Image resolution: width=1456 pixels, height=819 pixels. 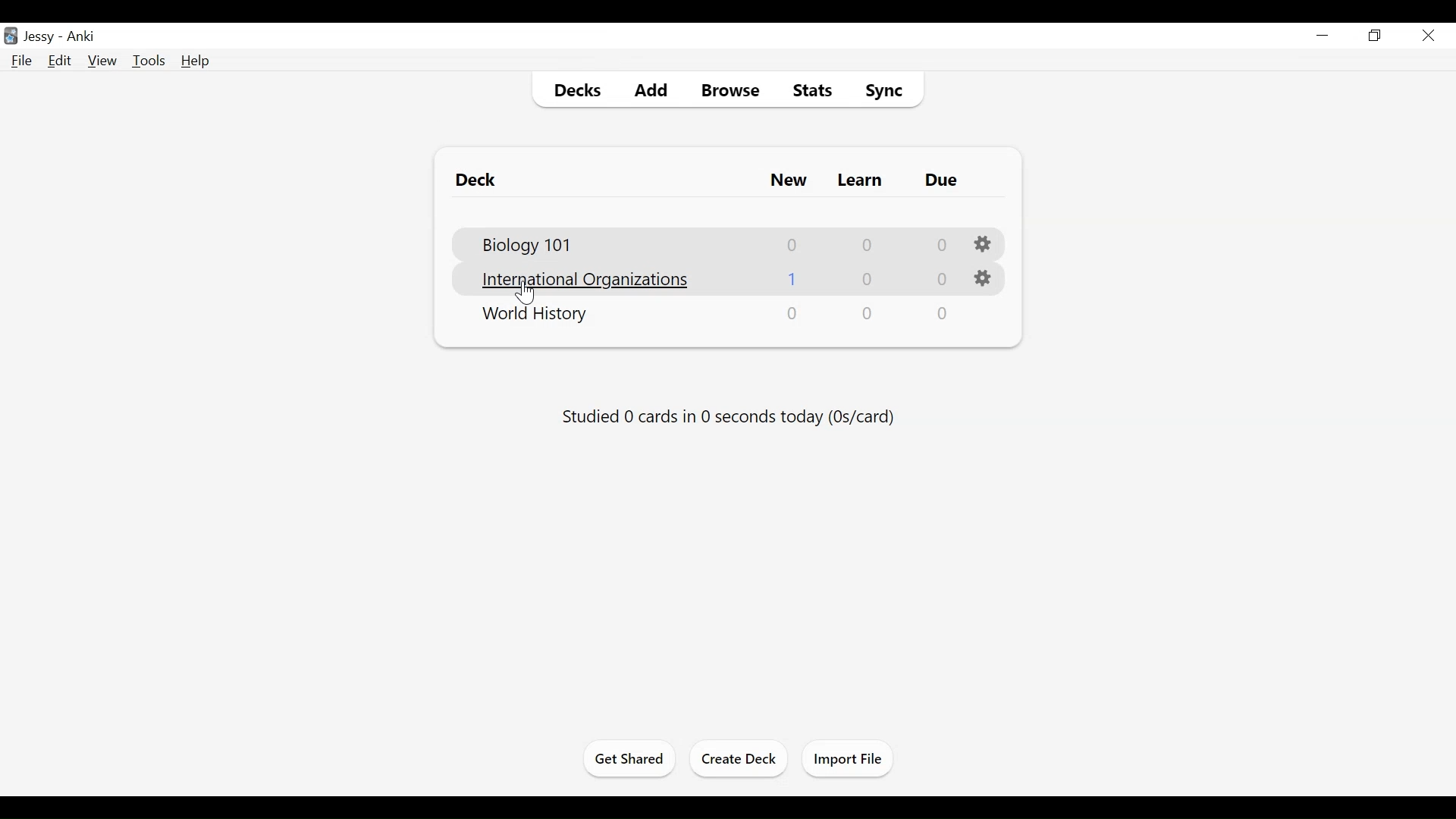 I want to click on Anki Desktop icon, so click(x=11, y=37).